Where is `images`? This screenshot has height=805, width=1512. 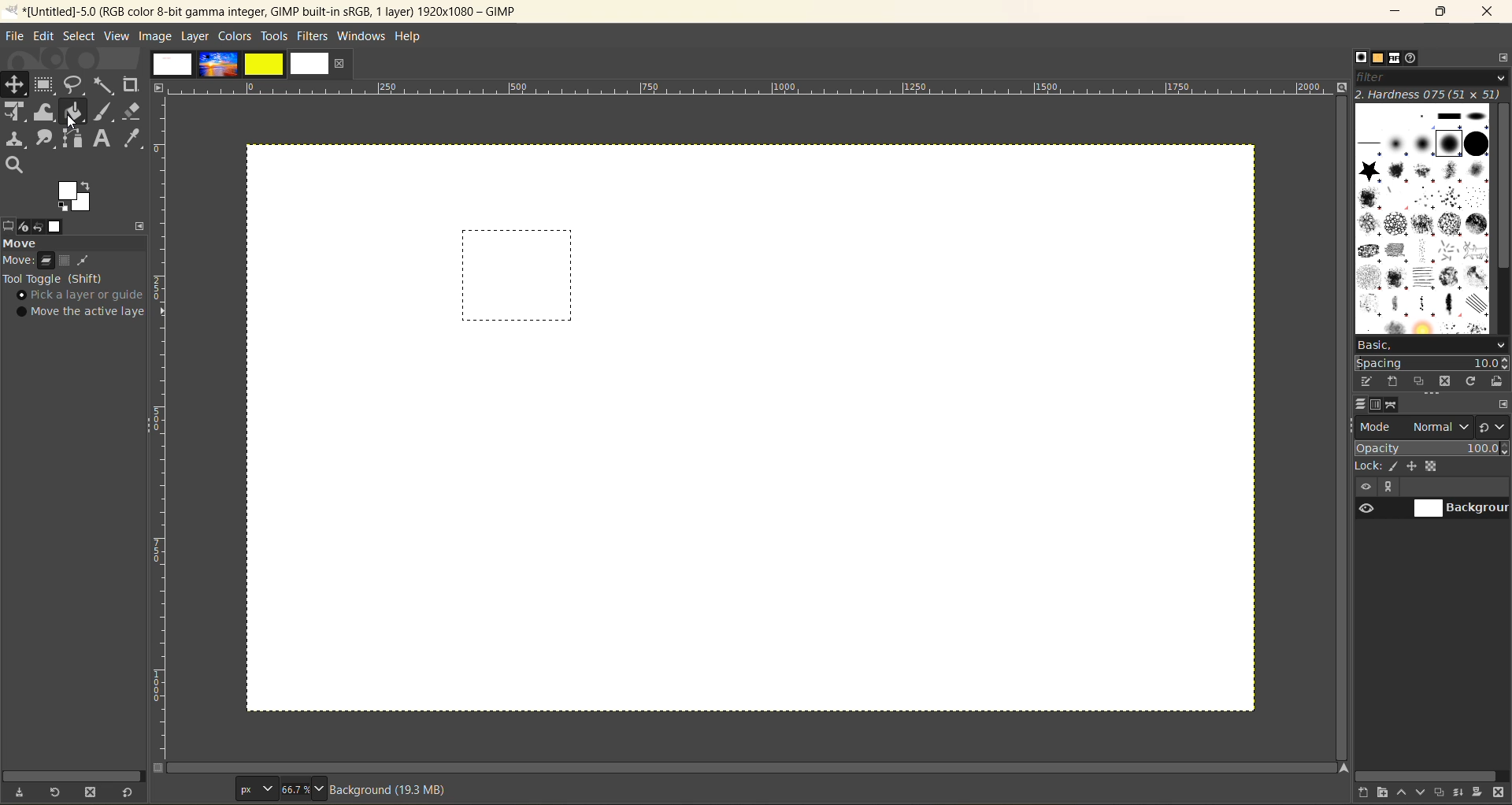 images is located at coordinates (239, 67).